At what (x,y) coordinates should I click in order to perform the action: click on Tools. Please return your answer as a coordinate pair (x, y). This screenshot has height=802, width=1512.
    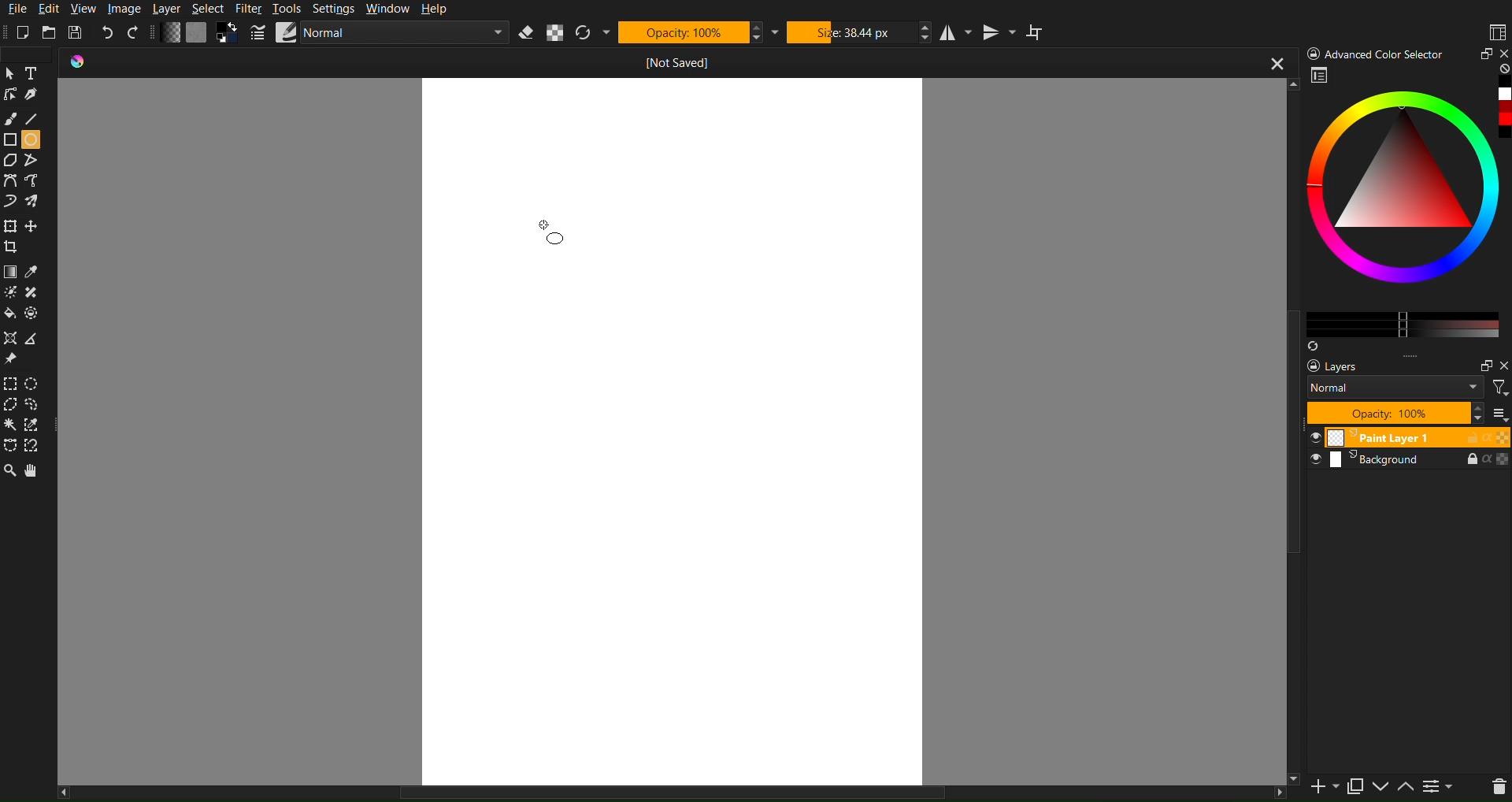
    Looking at the image, I should click on (290, 7).